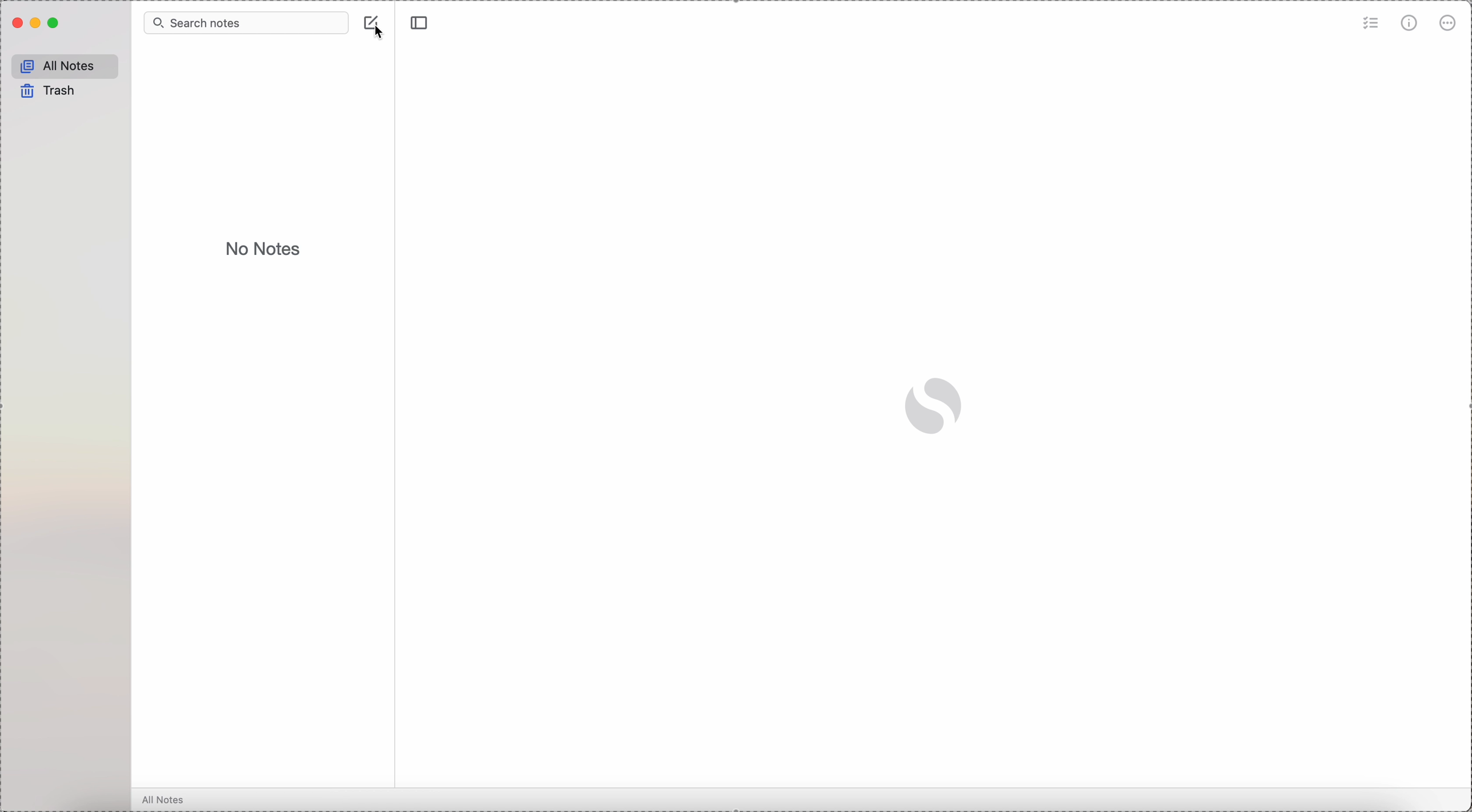 This screenshot has width=1472, height=812. What do you see at coordinates (1409, 25) in the screenshot?
I see `metrics` at bounding box center [1409, 25].